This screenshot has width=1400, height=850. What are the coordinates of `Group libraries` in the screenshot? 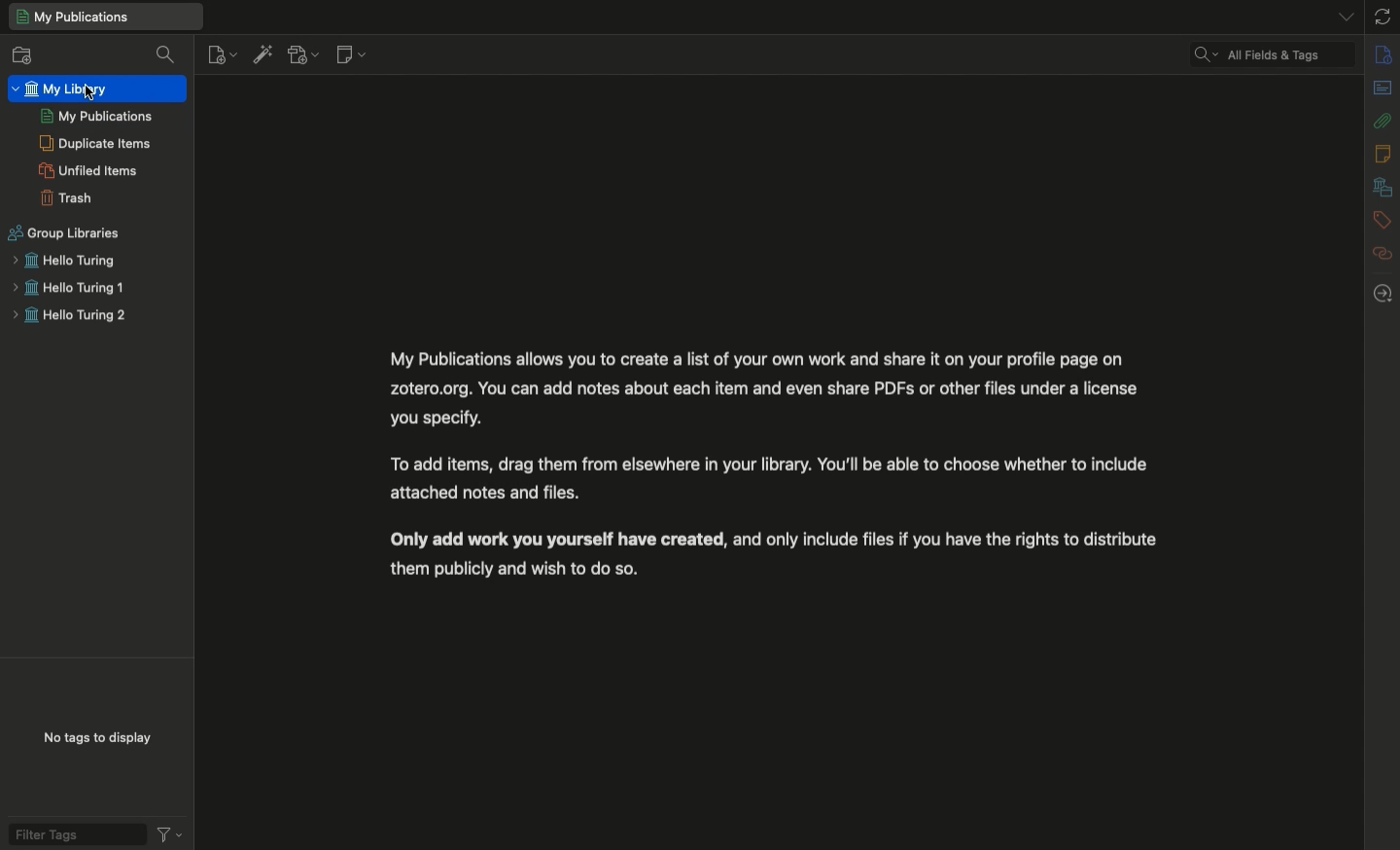 It's located at (64, 236).